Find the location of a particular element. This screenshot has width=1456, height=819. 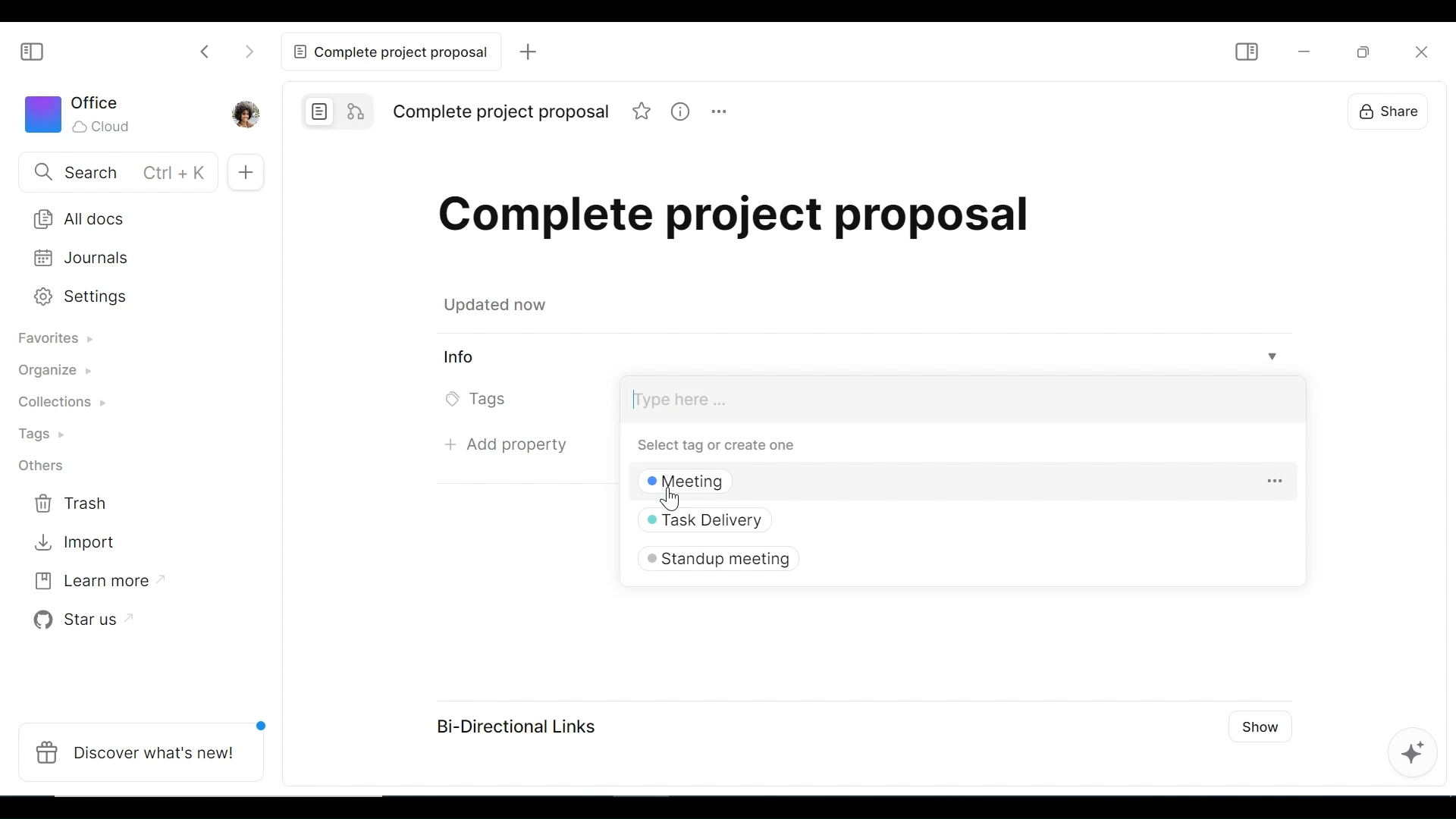

Import is located at coordinates (72, 544).